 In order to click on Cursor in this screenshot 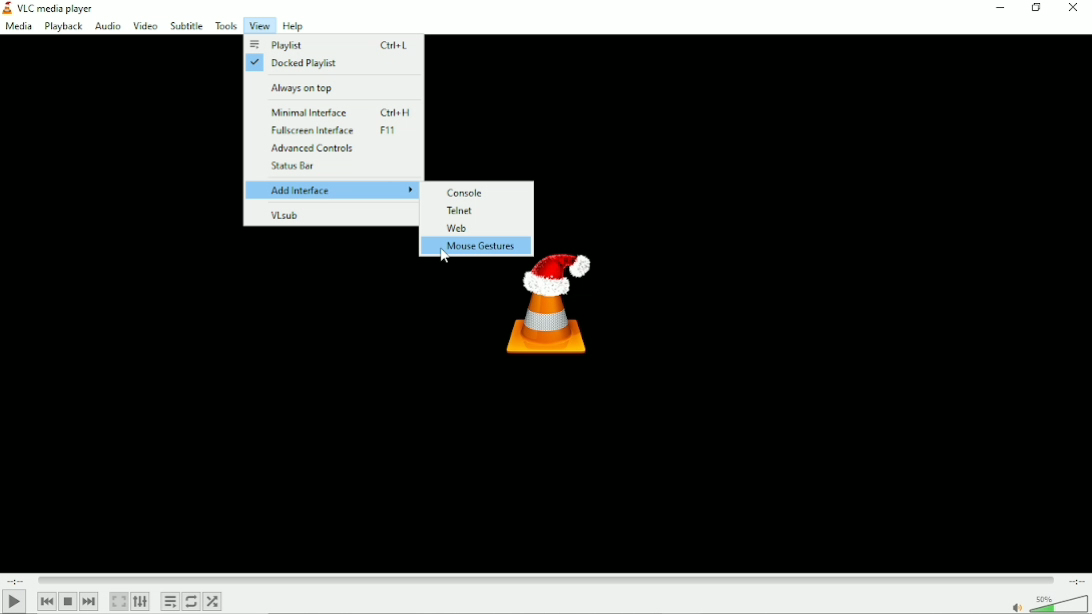, I will do `click(444, 257)`.